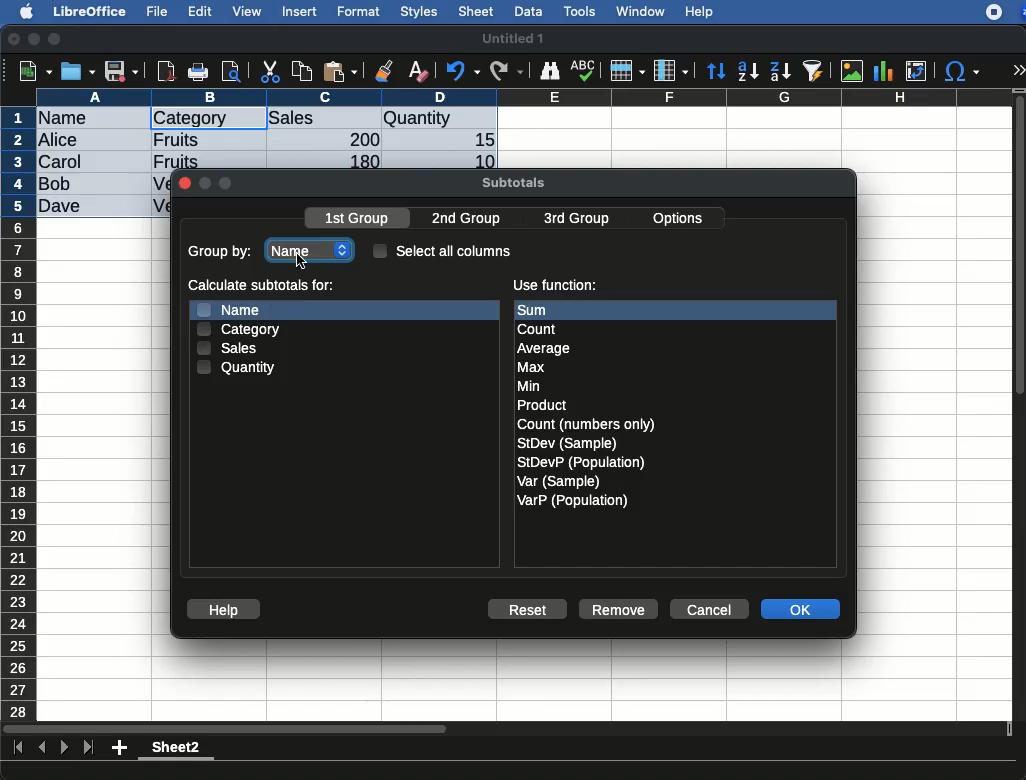 This screenshot has height=780, width=1026. I want to click on image, so click(854, 71).